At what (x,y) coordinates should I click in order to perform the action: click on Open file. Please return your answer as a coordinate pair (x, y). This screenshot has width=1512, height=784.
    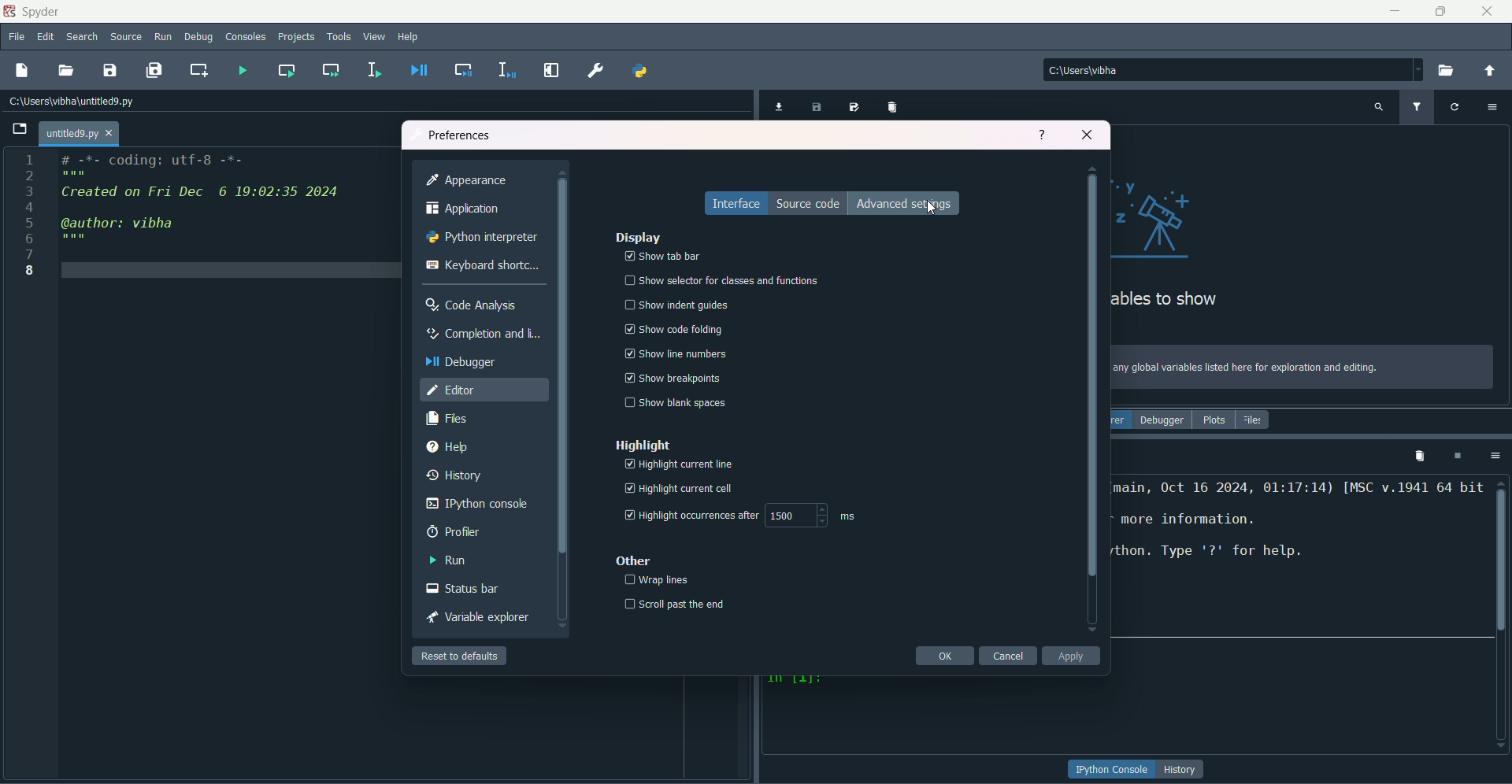
    Looking at the image, I should click on (20, 129).